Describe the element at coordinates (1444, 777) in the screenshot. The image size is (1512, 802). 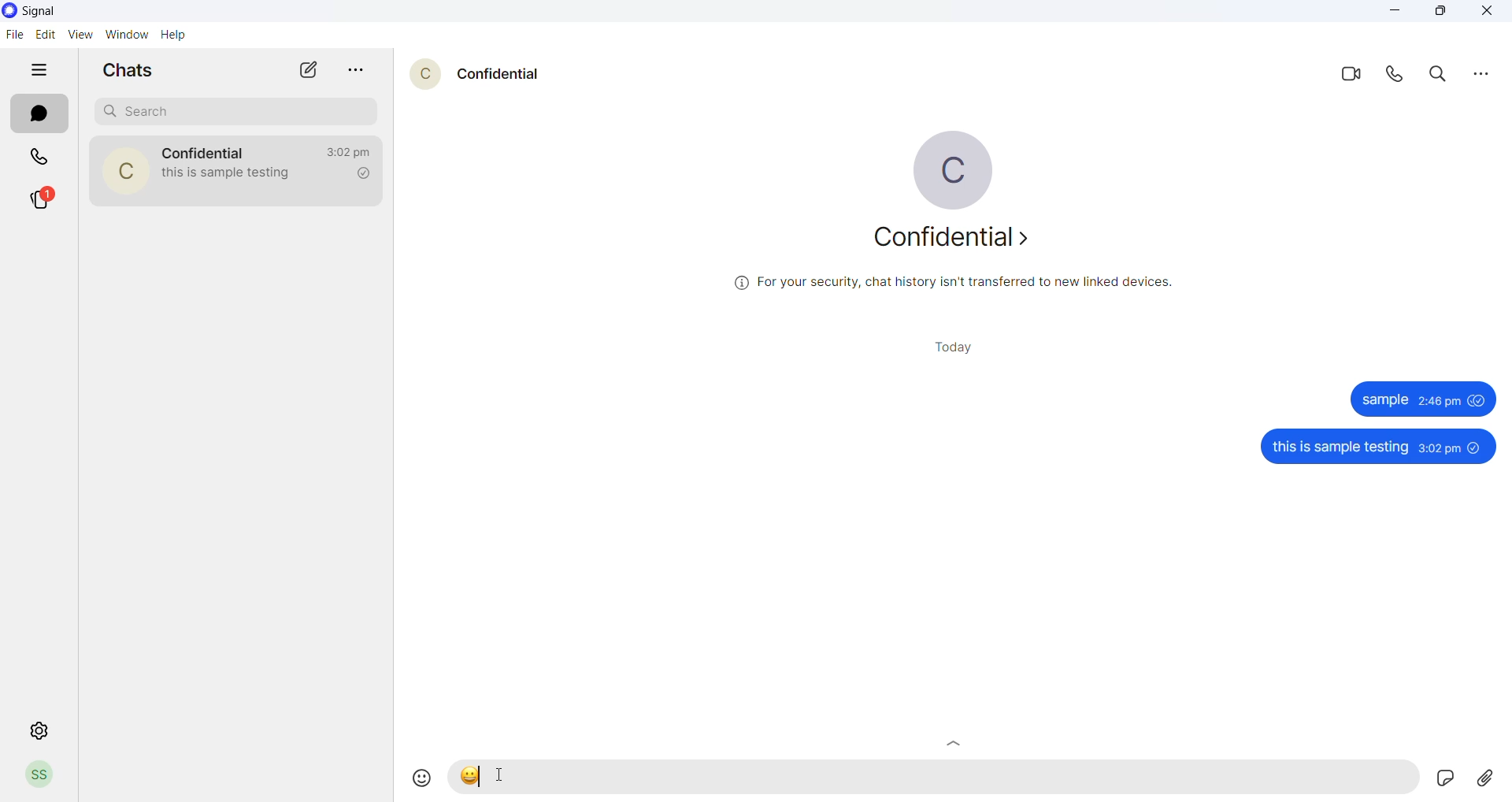
I see `Sticker` at that location.